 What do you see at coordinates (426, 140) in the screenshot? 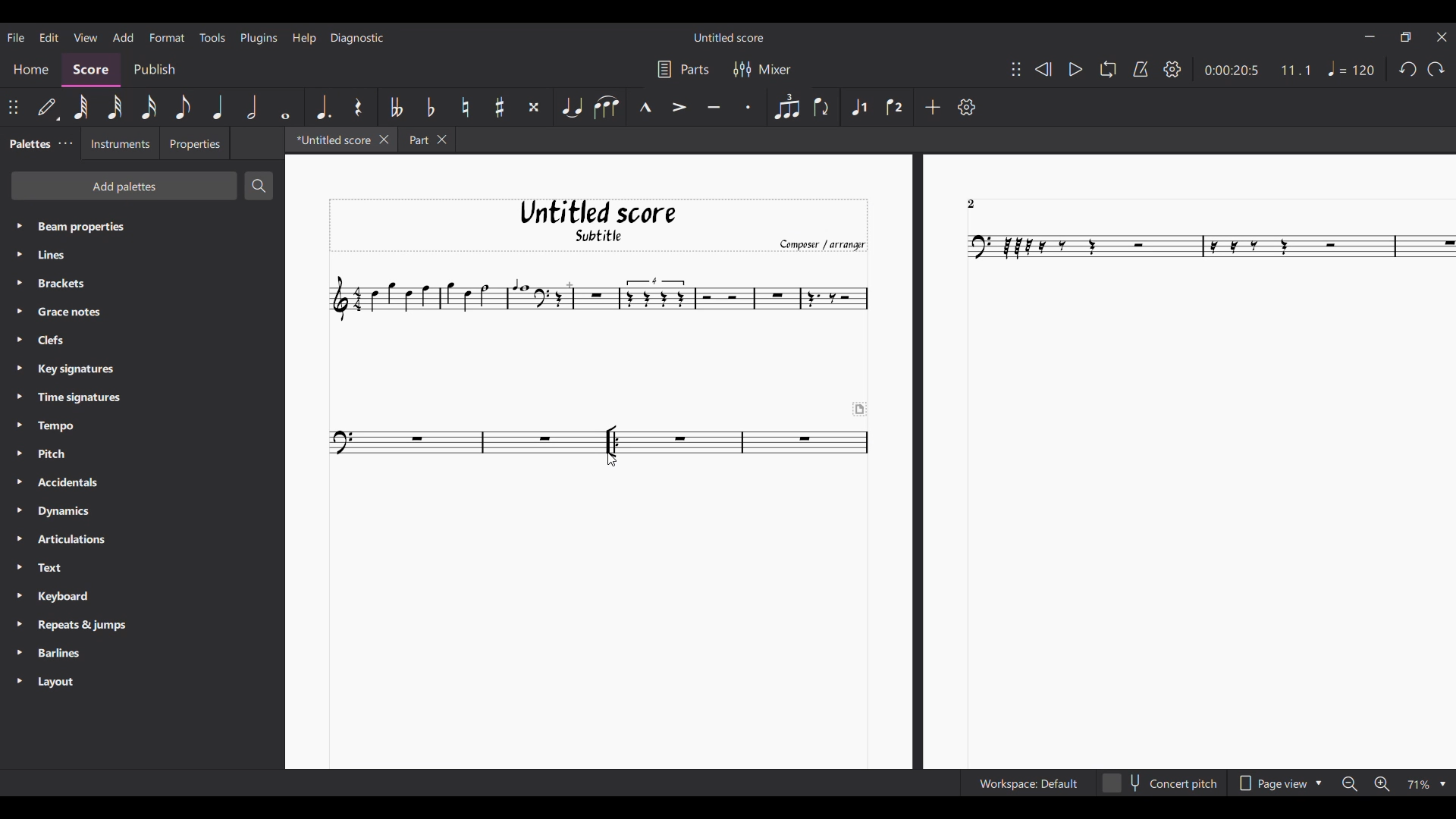
I see `Other tab` at bounding box center [426, 140].